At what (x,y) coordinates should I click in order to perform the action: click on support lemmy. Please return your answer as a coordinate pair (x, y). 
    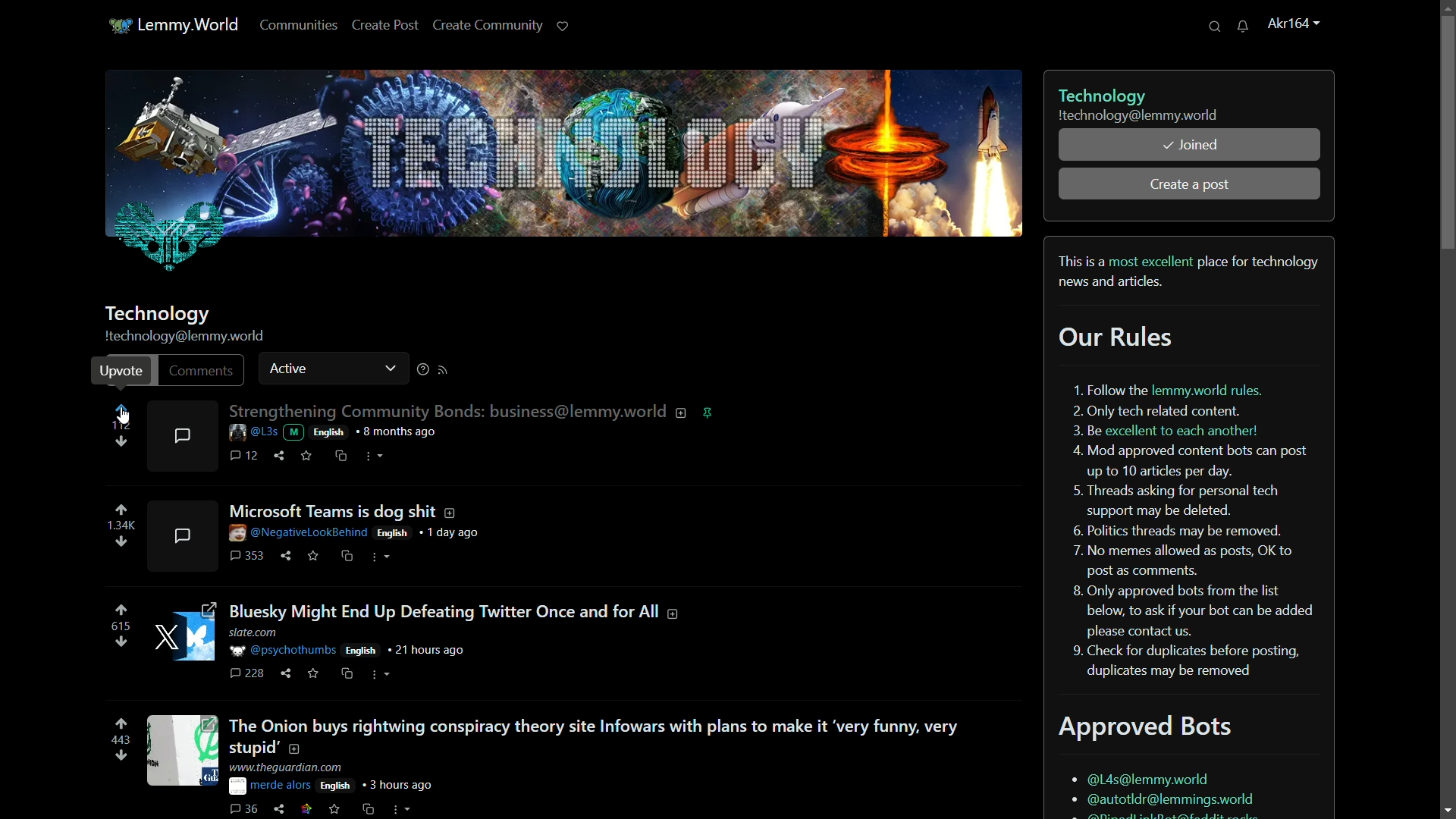
    Looking at the image, I should click on (565, 24).